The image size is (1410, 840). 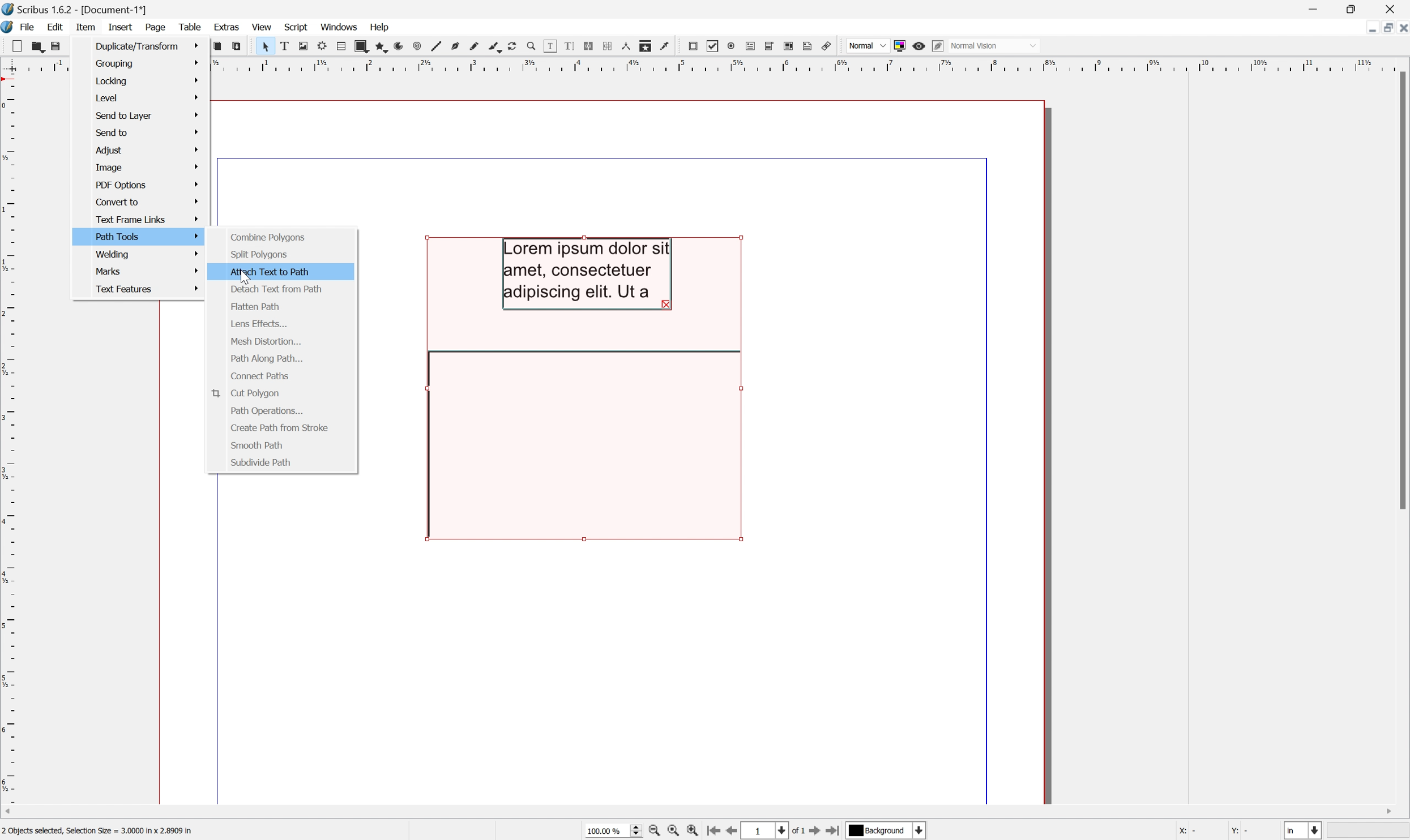 I want to click on Current zoom level, so click(x=613, y=832).